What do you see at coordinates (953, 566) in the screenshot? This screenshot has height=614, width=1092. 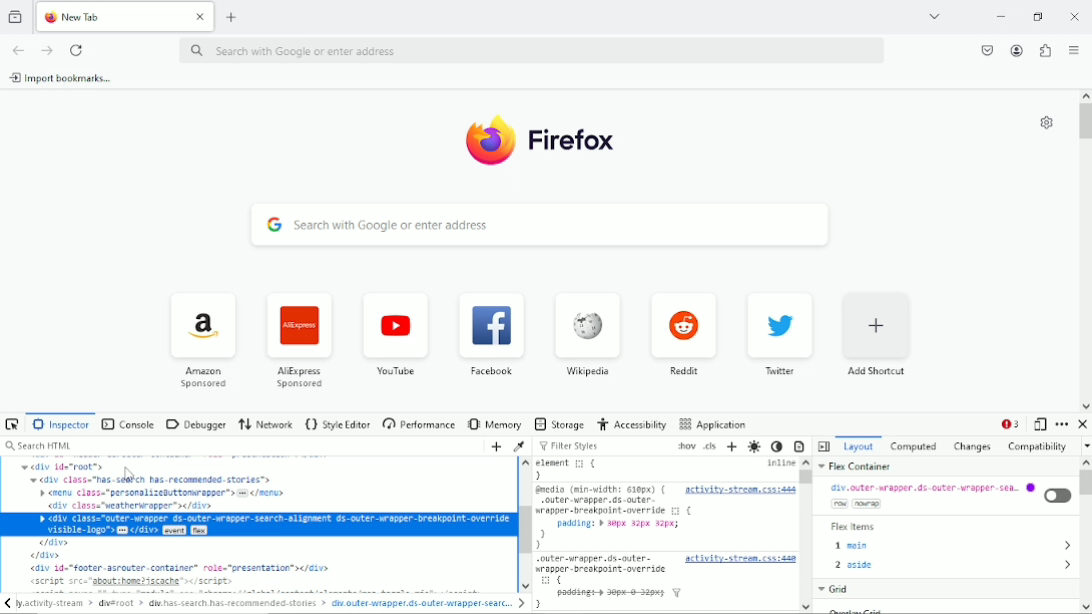 I see `2 asside` at bounding box center [953, 566].